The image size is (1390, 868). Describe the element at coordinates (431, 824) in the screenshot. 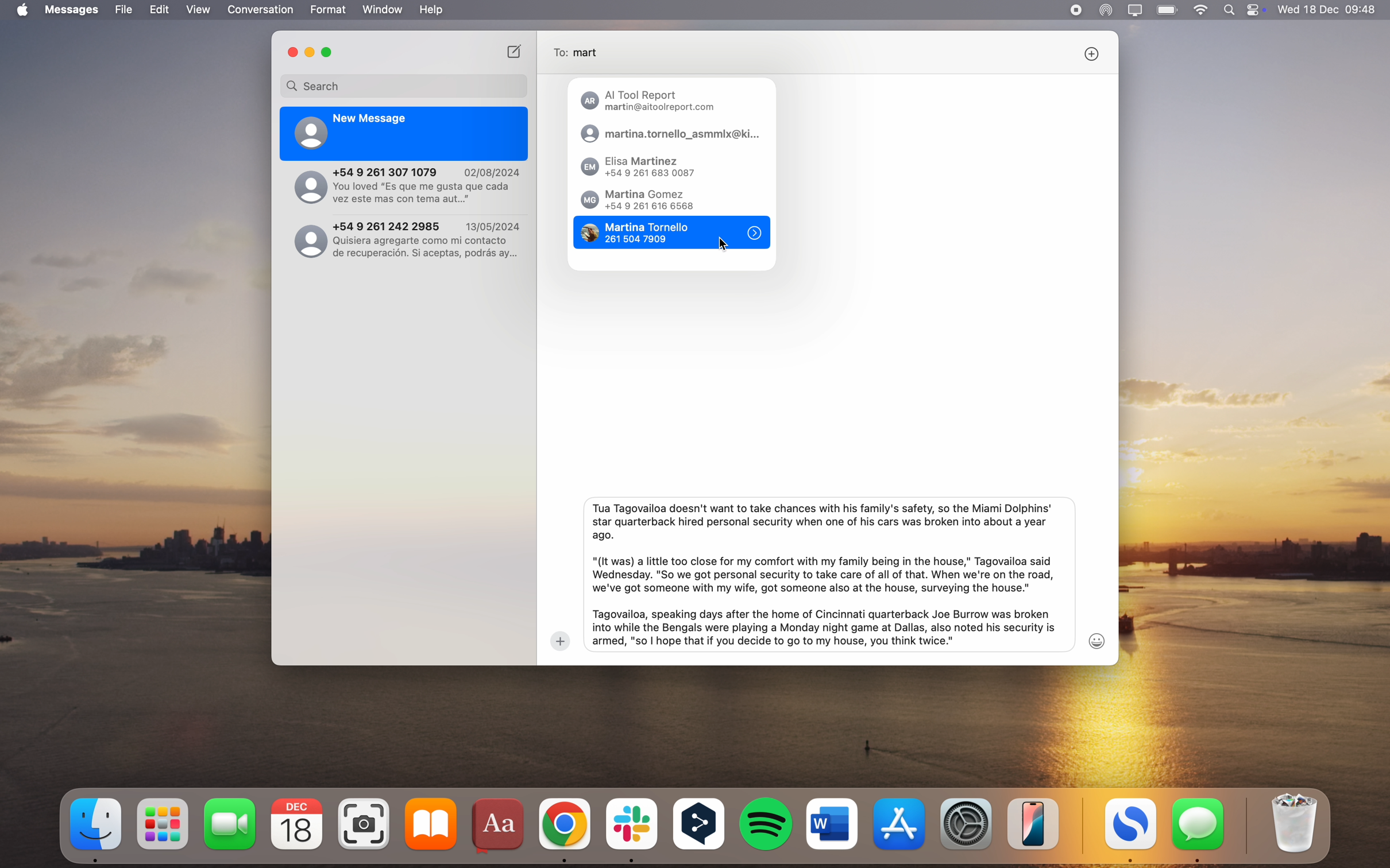

I see `iBooks` at that location.